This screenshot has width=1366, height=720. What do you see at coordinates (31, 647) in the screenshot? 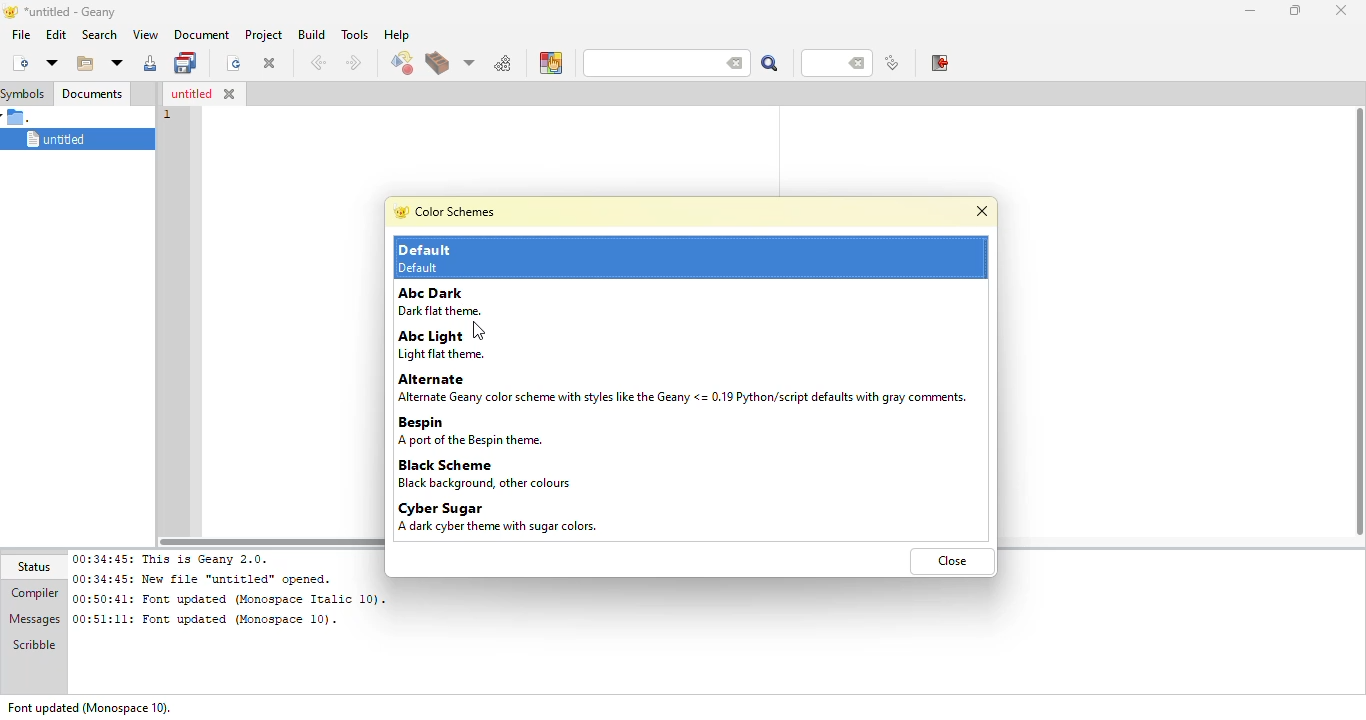
I see `scribble` at bounding box center [31, 647].